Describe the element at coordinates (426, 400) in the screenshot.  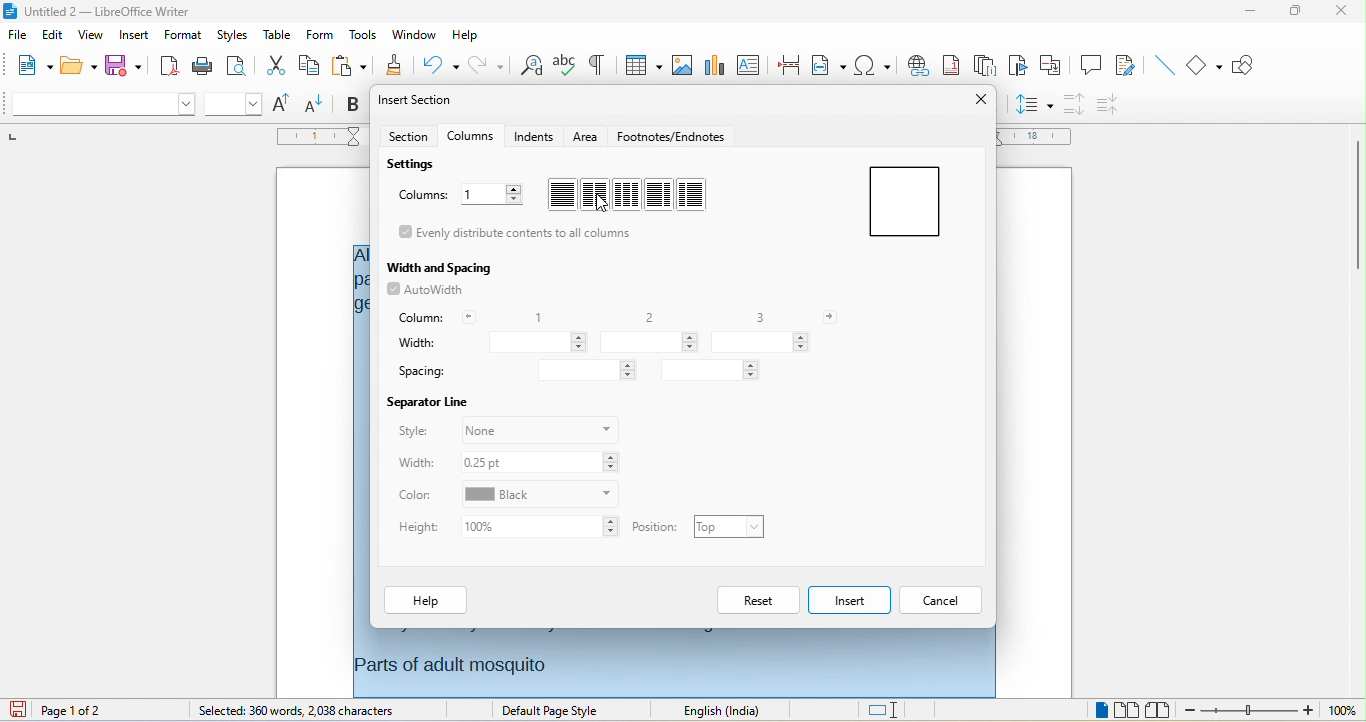
I see `separator line` at that location.